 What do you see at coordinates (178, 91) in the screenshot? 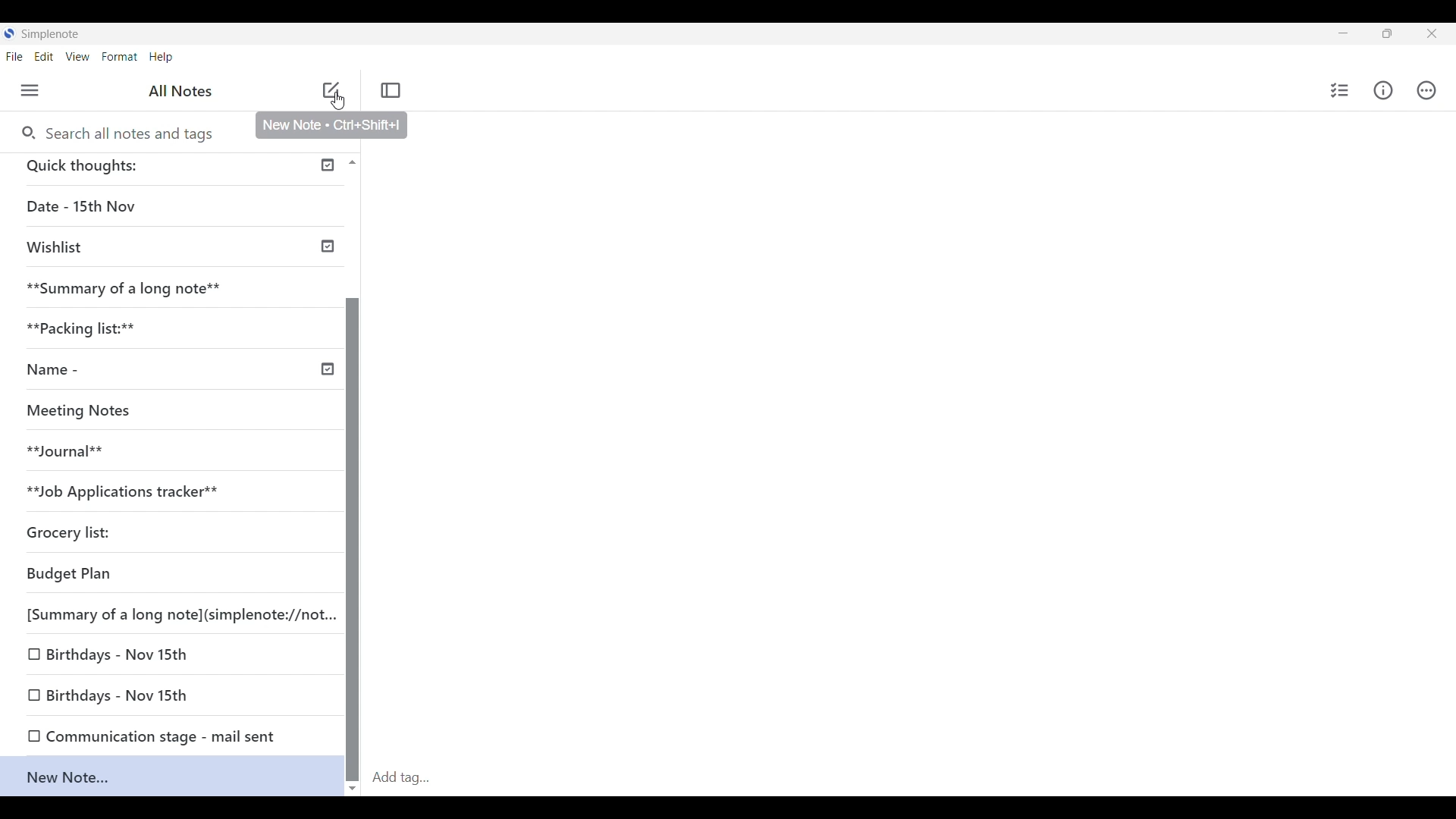
I see `All Notes` at bounding box center [178, 91].